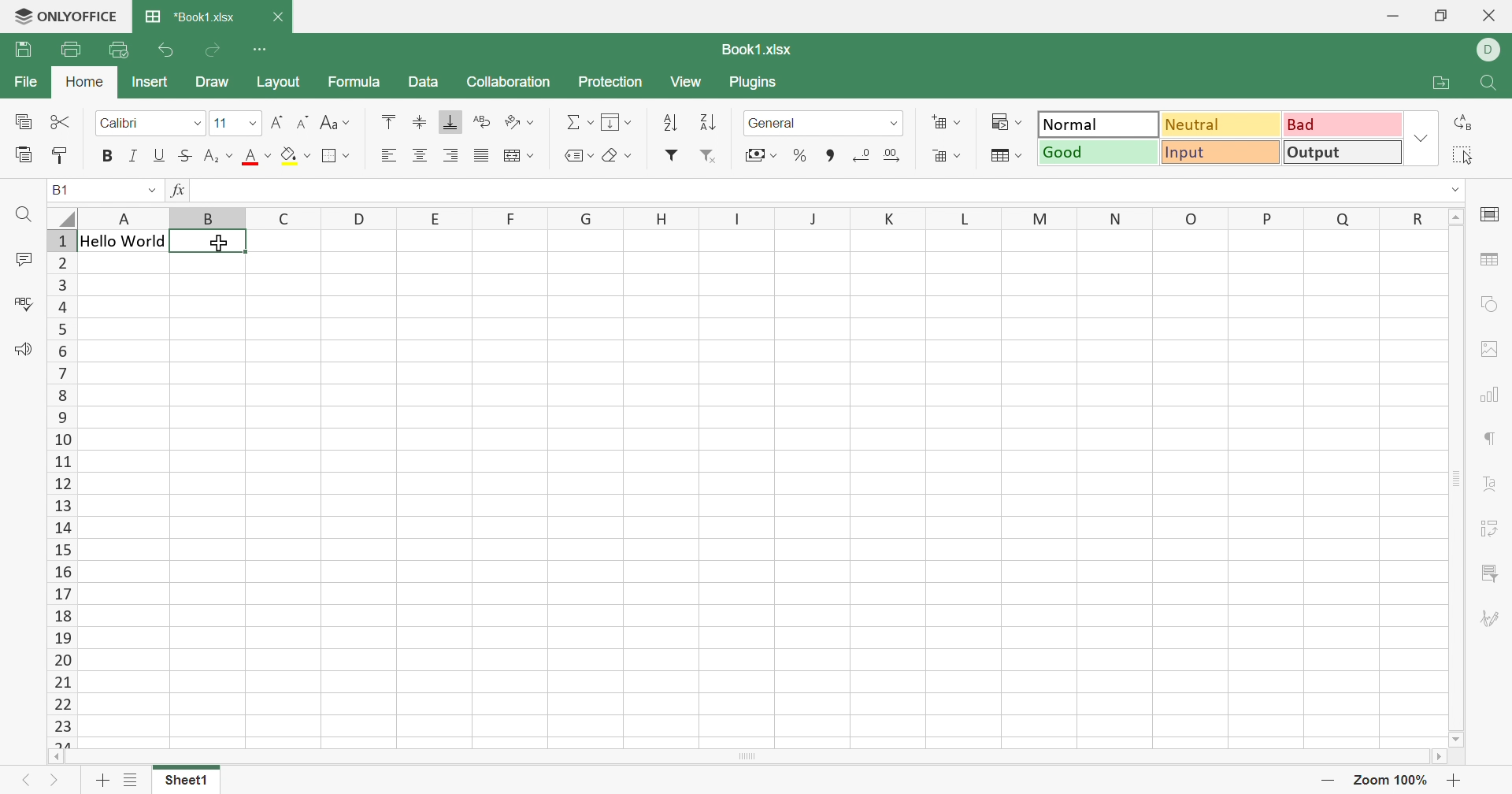  Describe the element at coordinates (280, 82) in the screenshot. I see `Layout` at that location.